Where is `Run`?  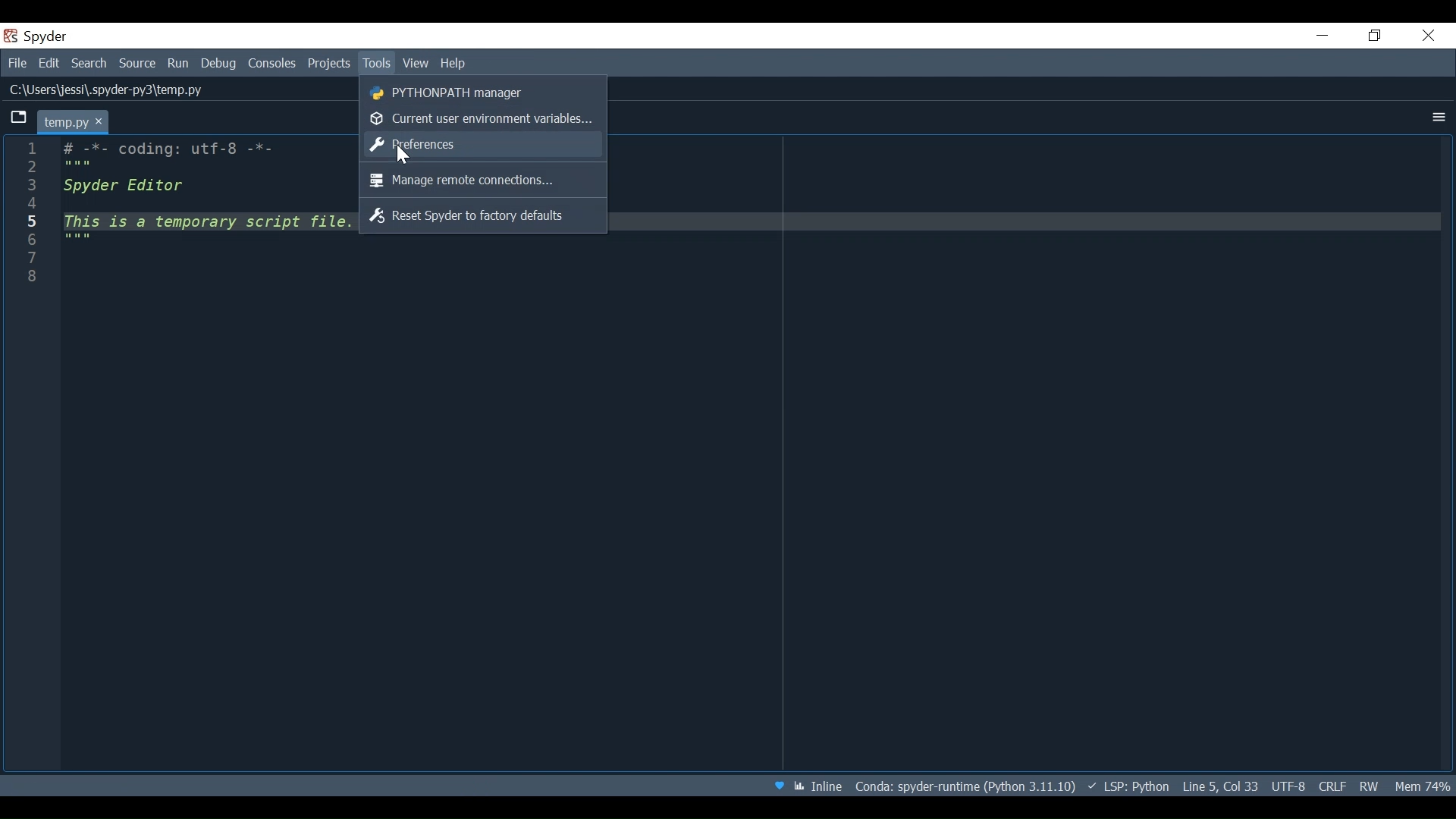 Run is located at coordinates (178, 63).